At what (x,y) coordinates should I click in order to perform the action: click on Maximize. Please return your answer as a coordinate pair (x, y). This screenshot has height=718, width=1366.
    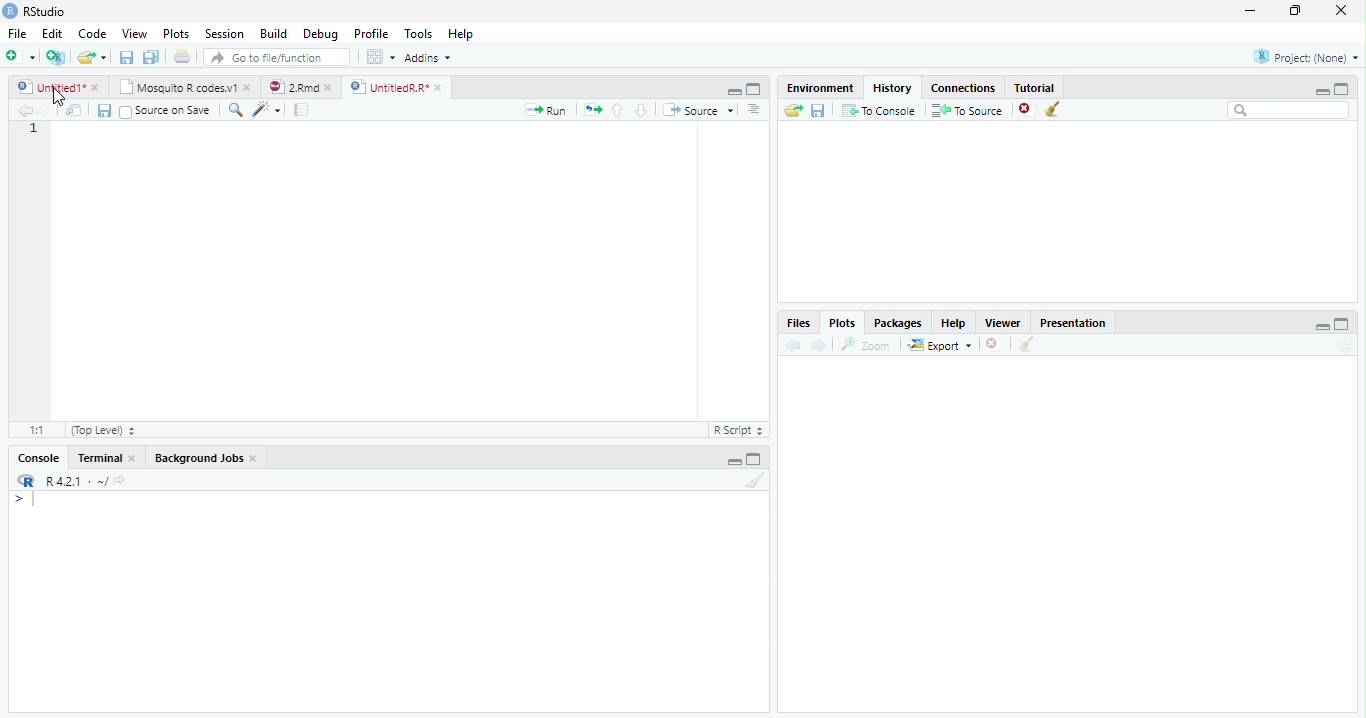
    Looking at the image, I should click on (755, 461).